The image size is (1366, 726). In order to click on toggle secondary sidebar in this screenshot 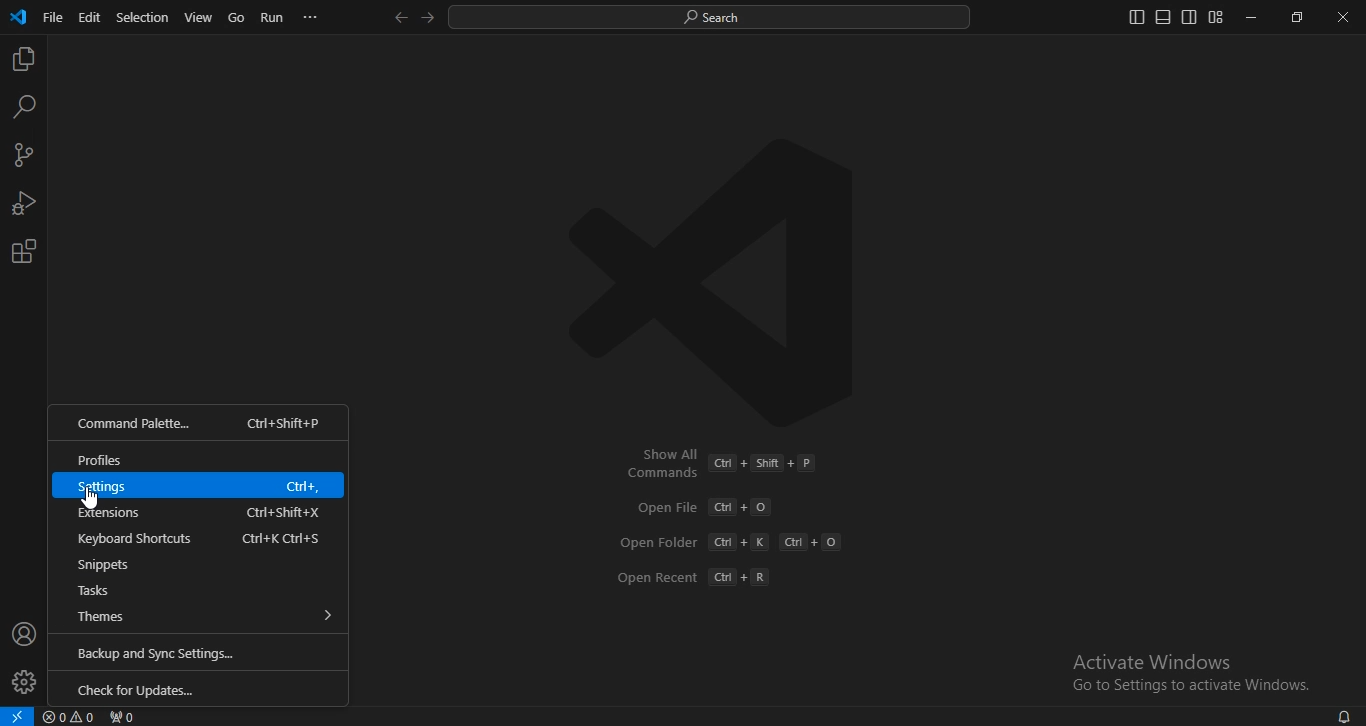, I will do `click(1189, 17)`.